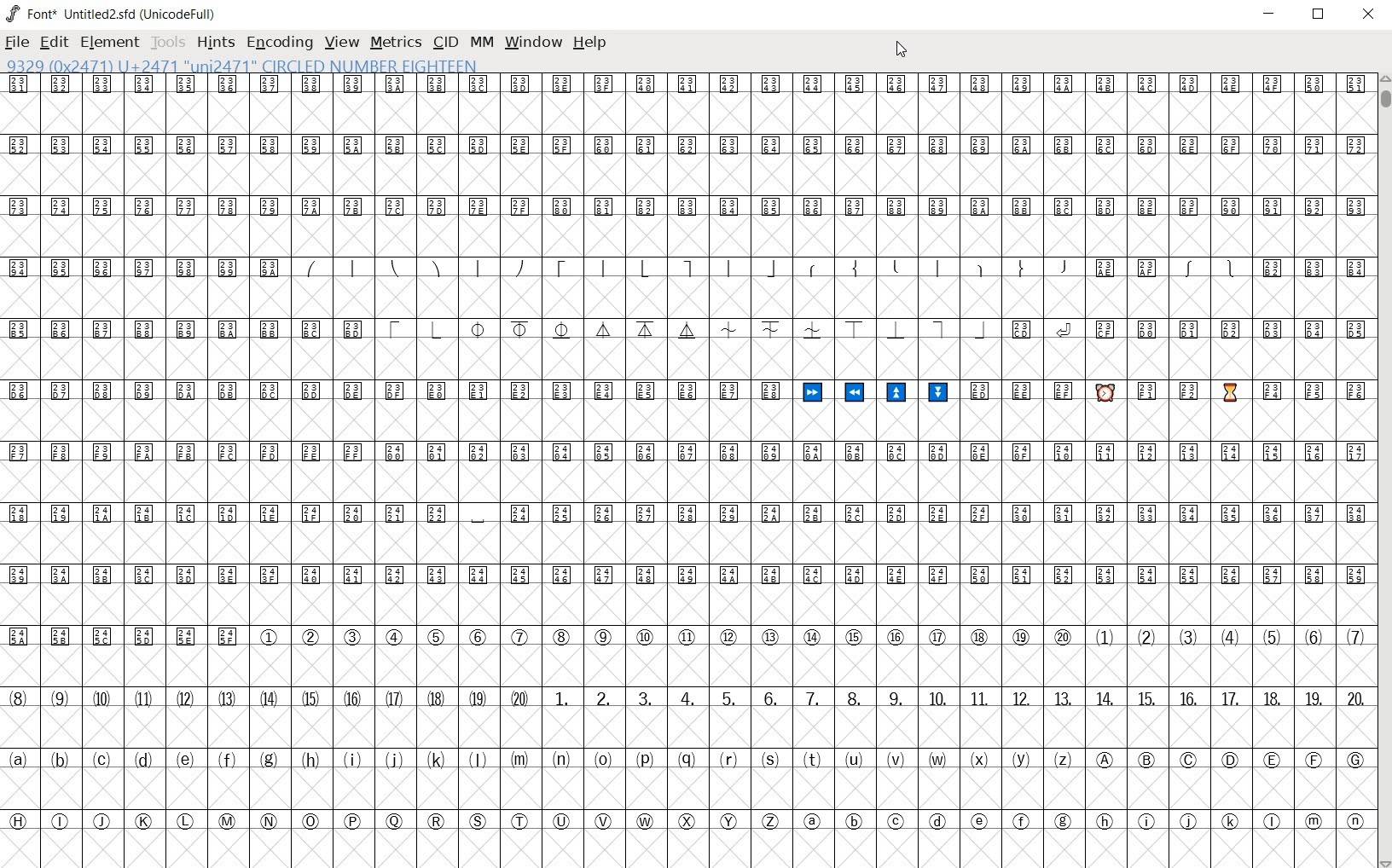 The width and height of the screenshot is (1392, 868). What do you see at coordinates (245, 67) in the screenshot?
I see `9329 (0x2471) U+2471 "uni2471" CIRCLED NUMBER EIGHTEEN` at bounding box center [245, 67].